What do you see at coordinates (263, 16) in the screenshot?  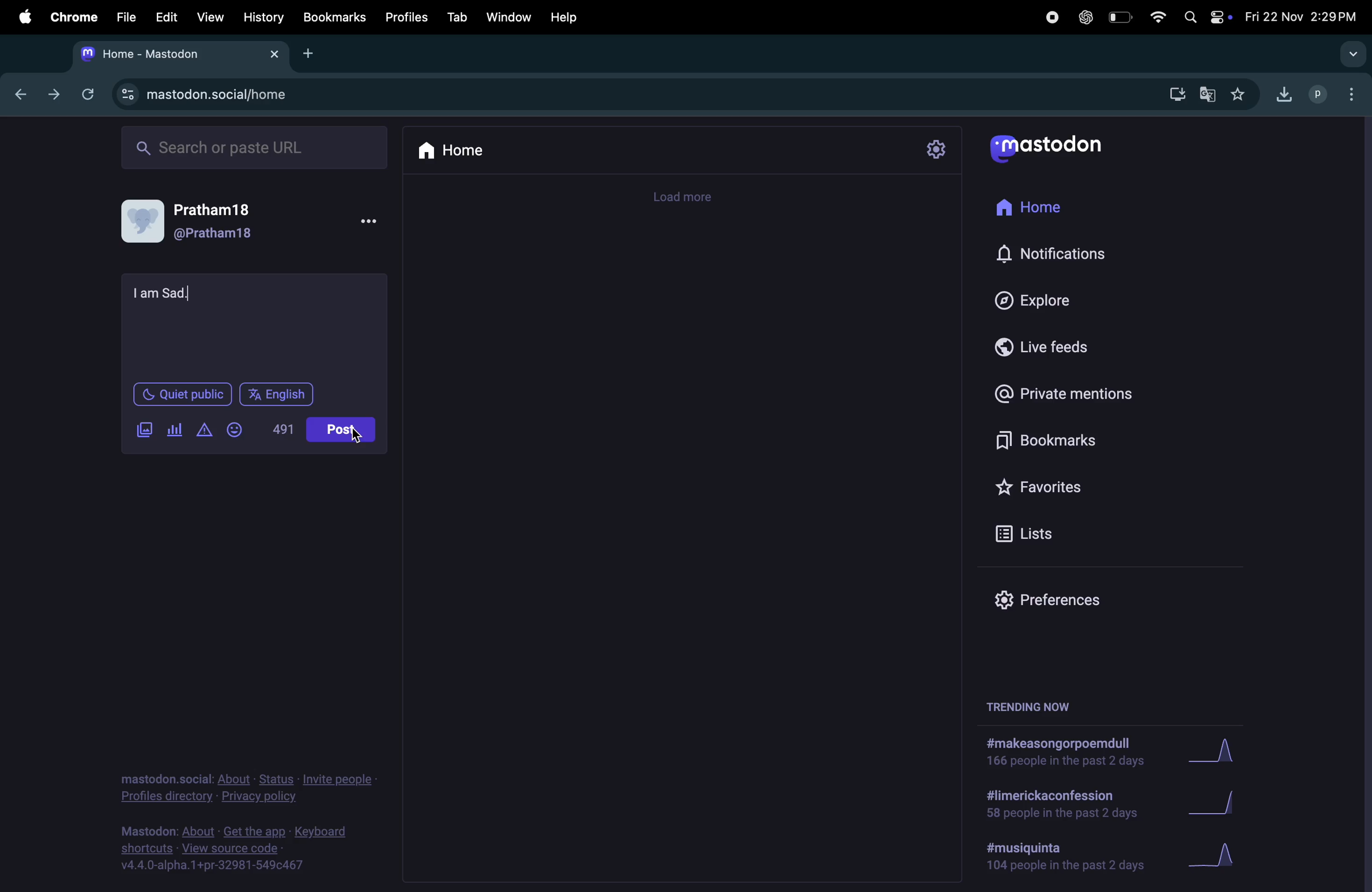 I see `history` at bounding box center [263, 16].